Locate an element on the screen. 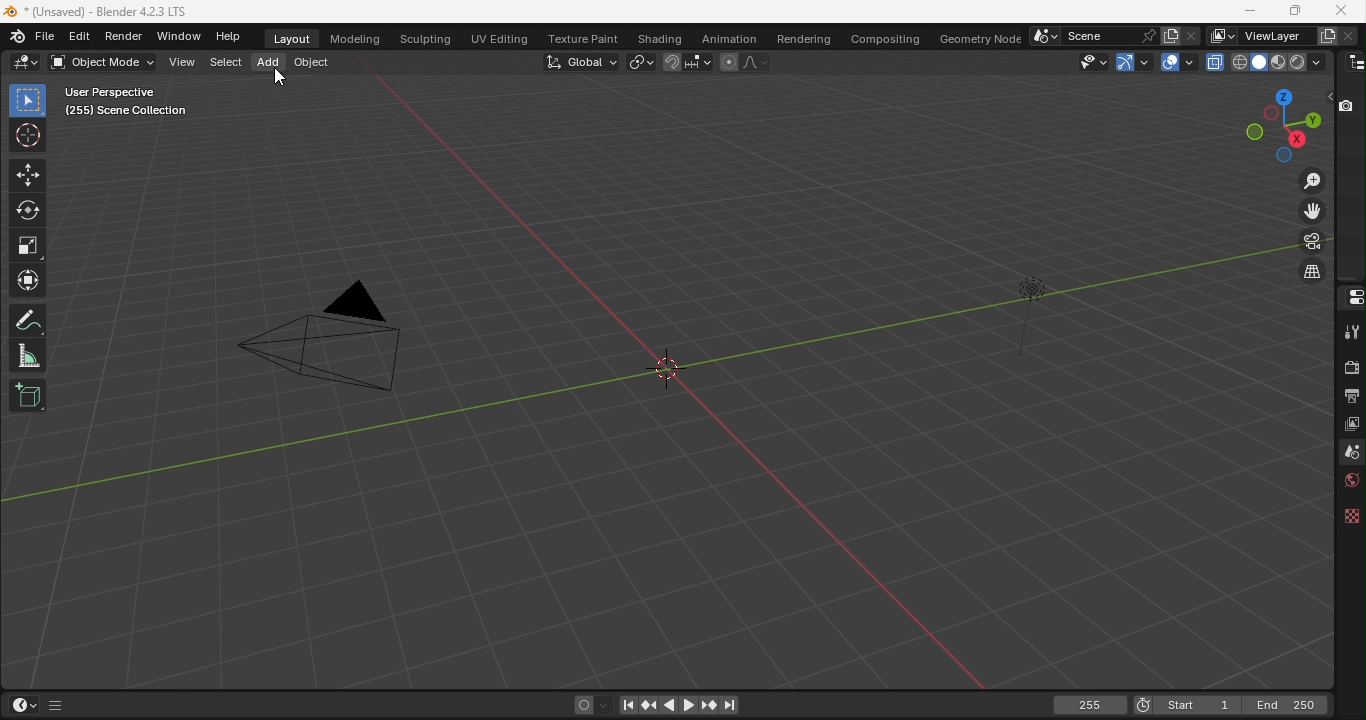 The image size is (1366, 720). Shading is located at coordinates (1317, 62).